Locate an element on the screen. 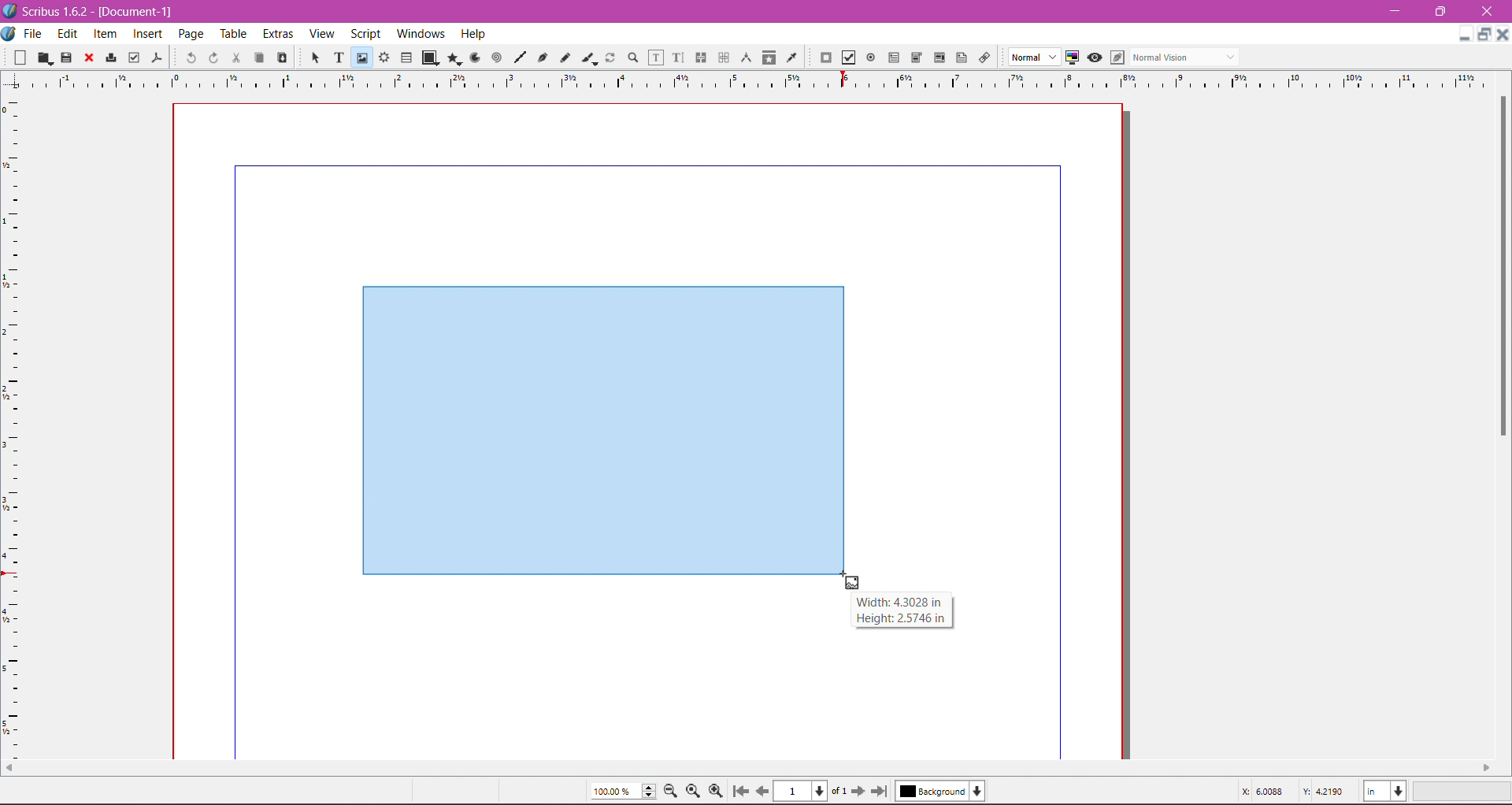 The image size is (1512, 805). Zoom In by the stepping value in the Tools preferences is located at coordinates (717, 791).